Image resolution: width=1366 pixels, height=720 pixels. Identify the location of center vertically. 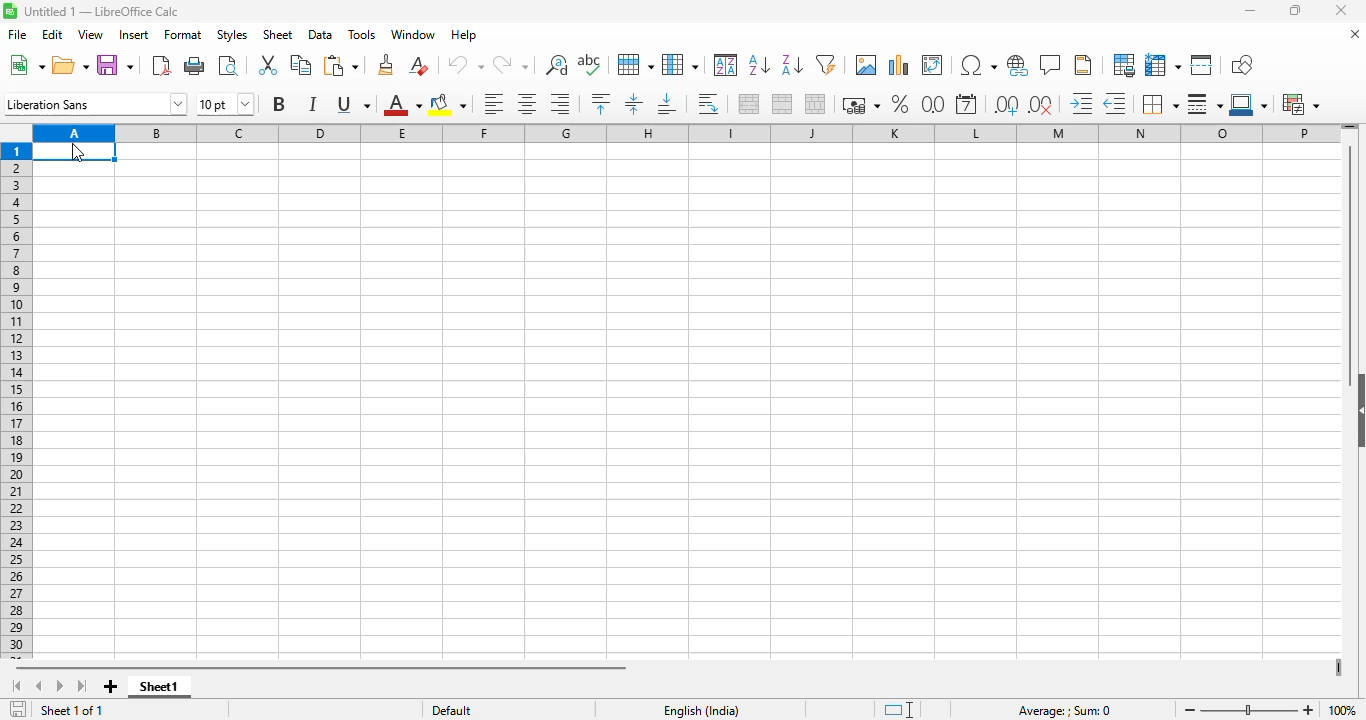
(633, 104).